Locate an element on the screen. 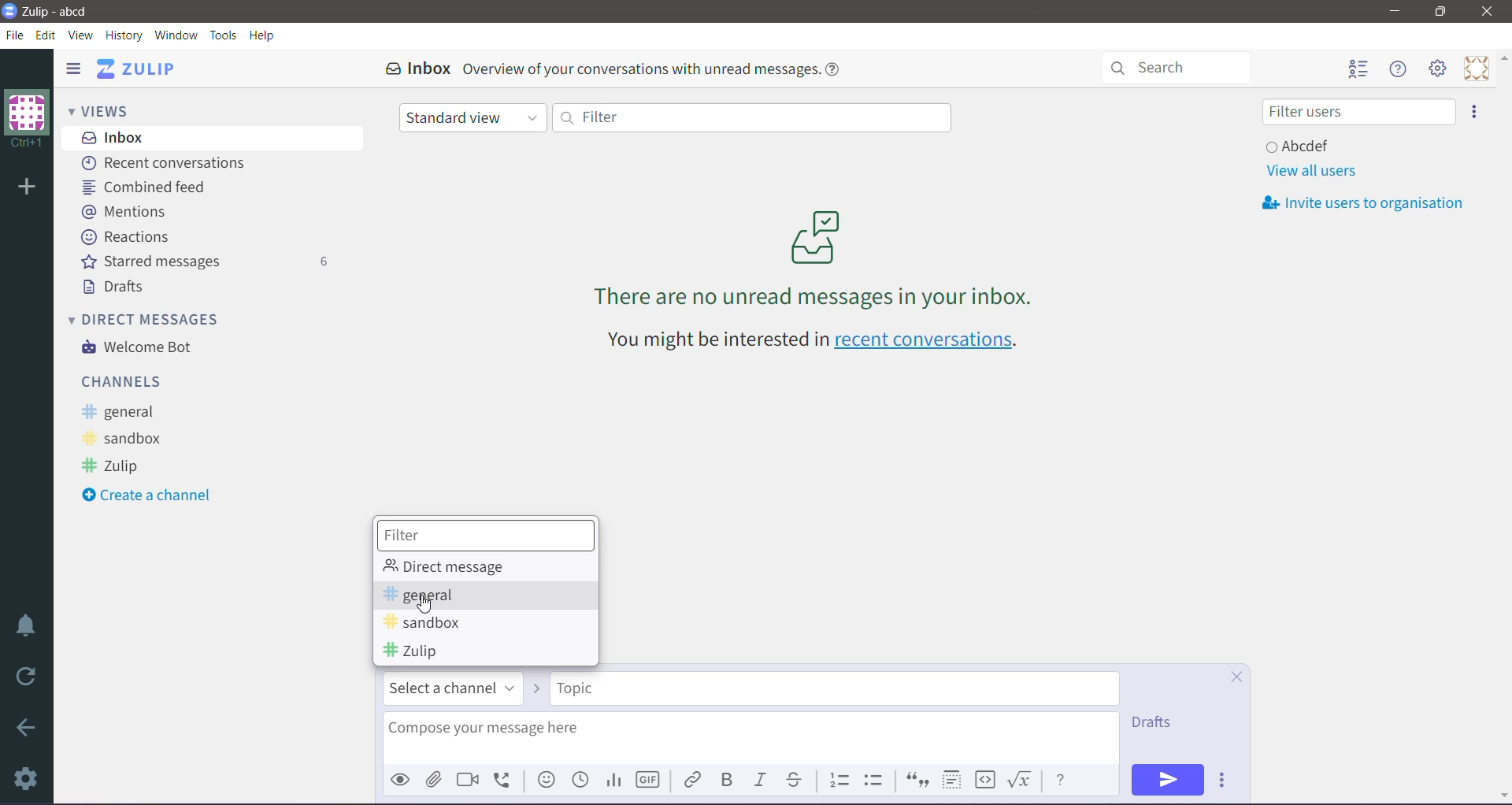  You might be interested in recent conversations - Click link to open recent conversations is located at coordinates (817, 342).